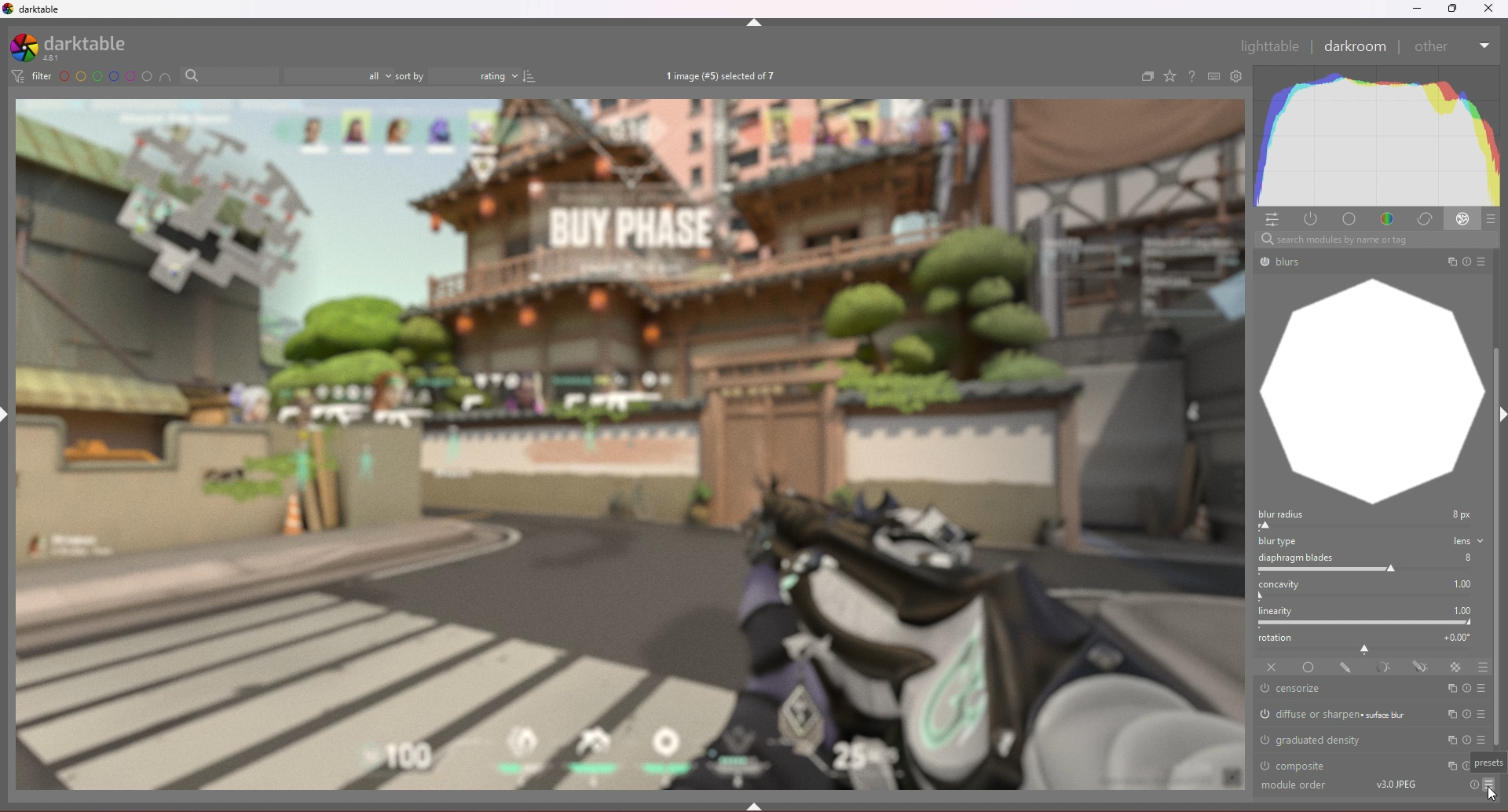 The width and height of the screenshot is (1508, 812). I want to click on images selected, so click(723, 75).